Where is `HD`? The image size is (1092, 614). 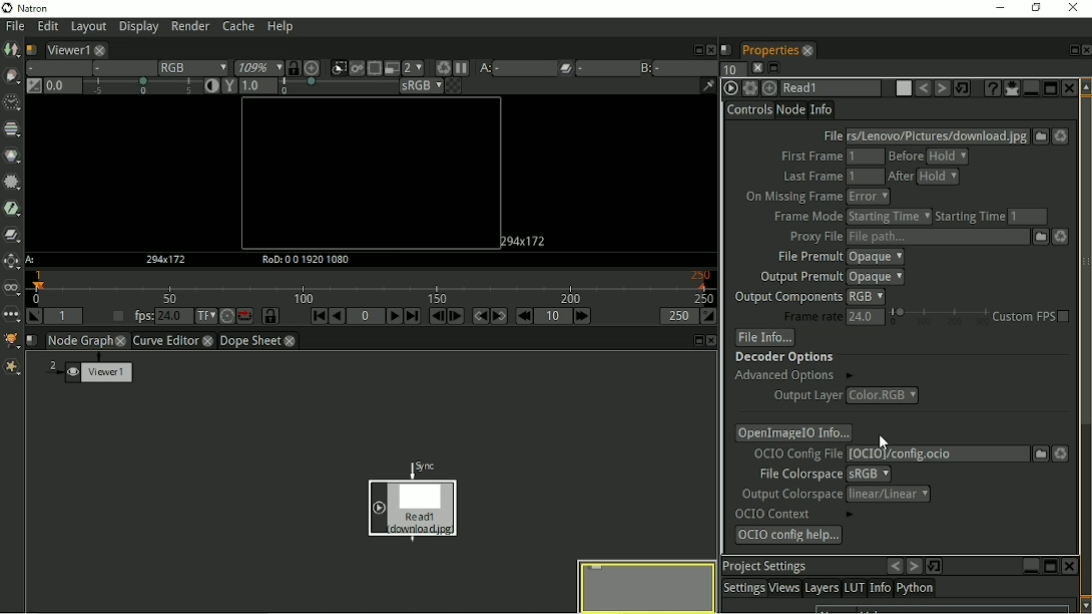
HD is located at coordinates (526, 241).